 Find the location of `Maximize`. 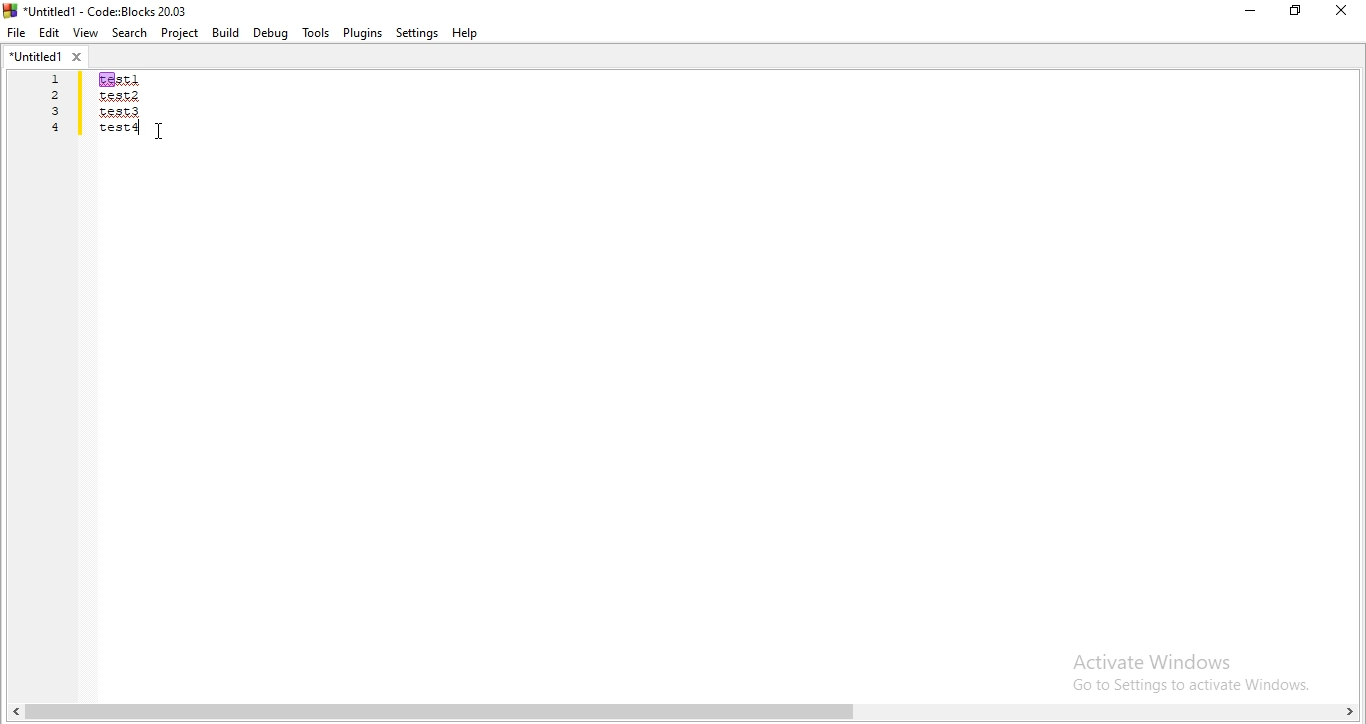

Maximize is located at coordinates (1299, 13).